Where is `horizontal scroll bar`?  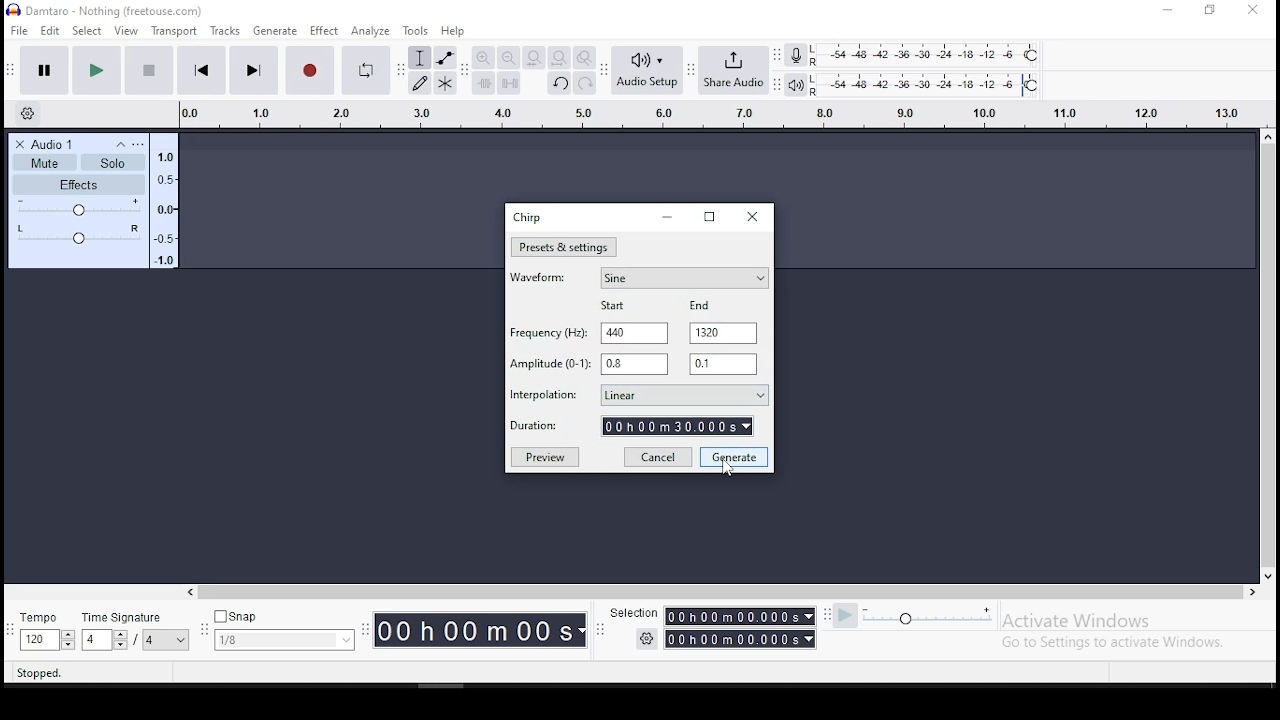
horizontal scroll bar is located at coordinates (484, 588).